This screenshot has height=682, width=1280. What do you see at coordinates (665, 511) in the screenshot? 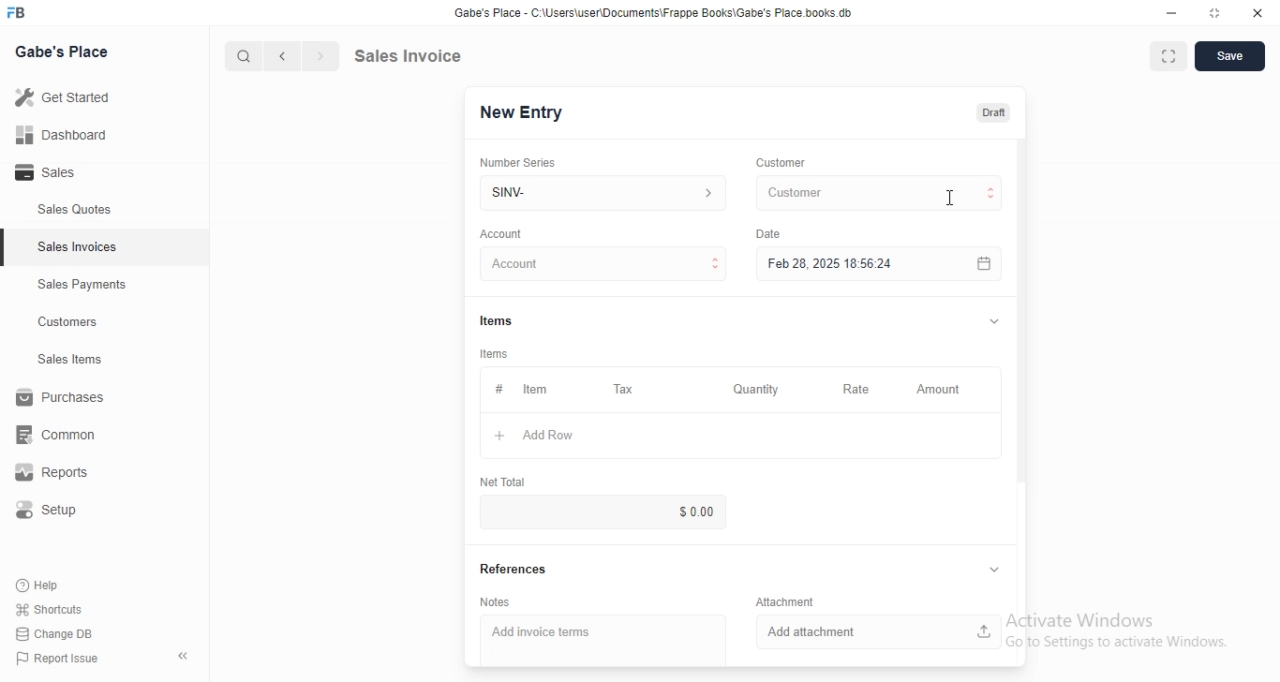
I see `$0.00` at bounding box center [665, 511].